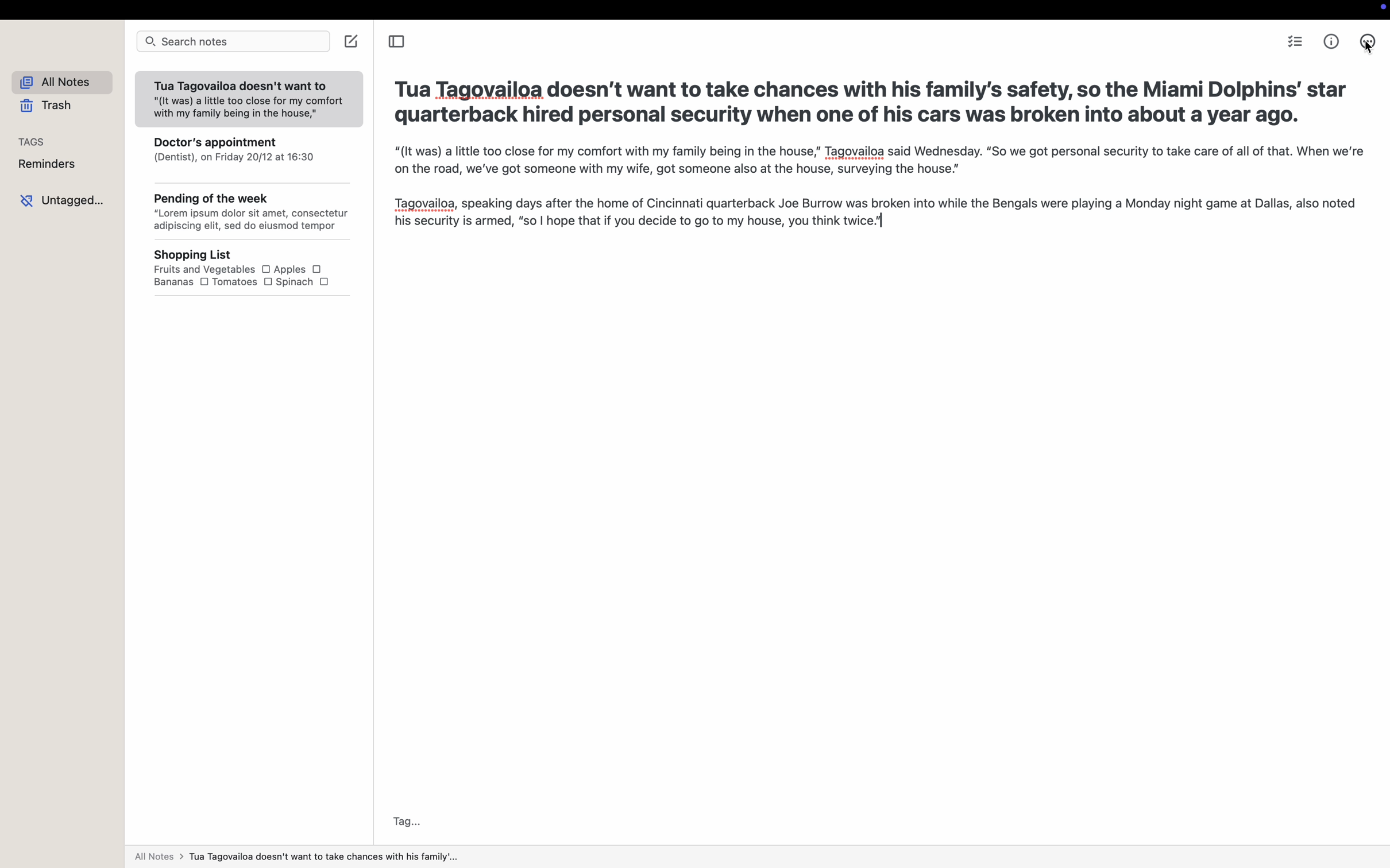  I want to click on "(It was) a little too close for my comfort with my family being in the house,” Tagovailoa said Wednesday. “So we got personal security to take care of all of that. When we're
on the road, we've got someone with my wife, got someone also at the house, surveying the house.”, so click(875, 162).